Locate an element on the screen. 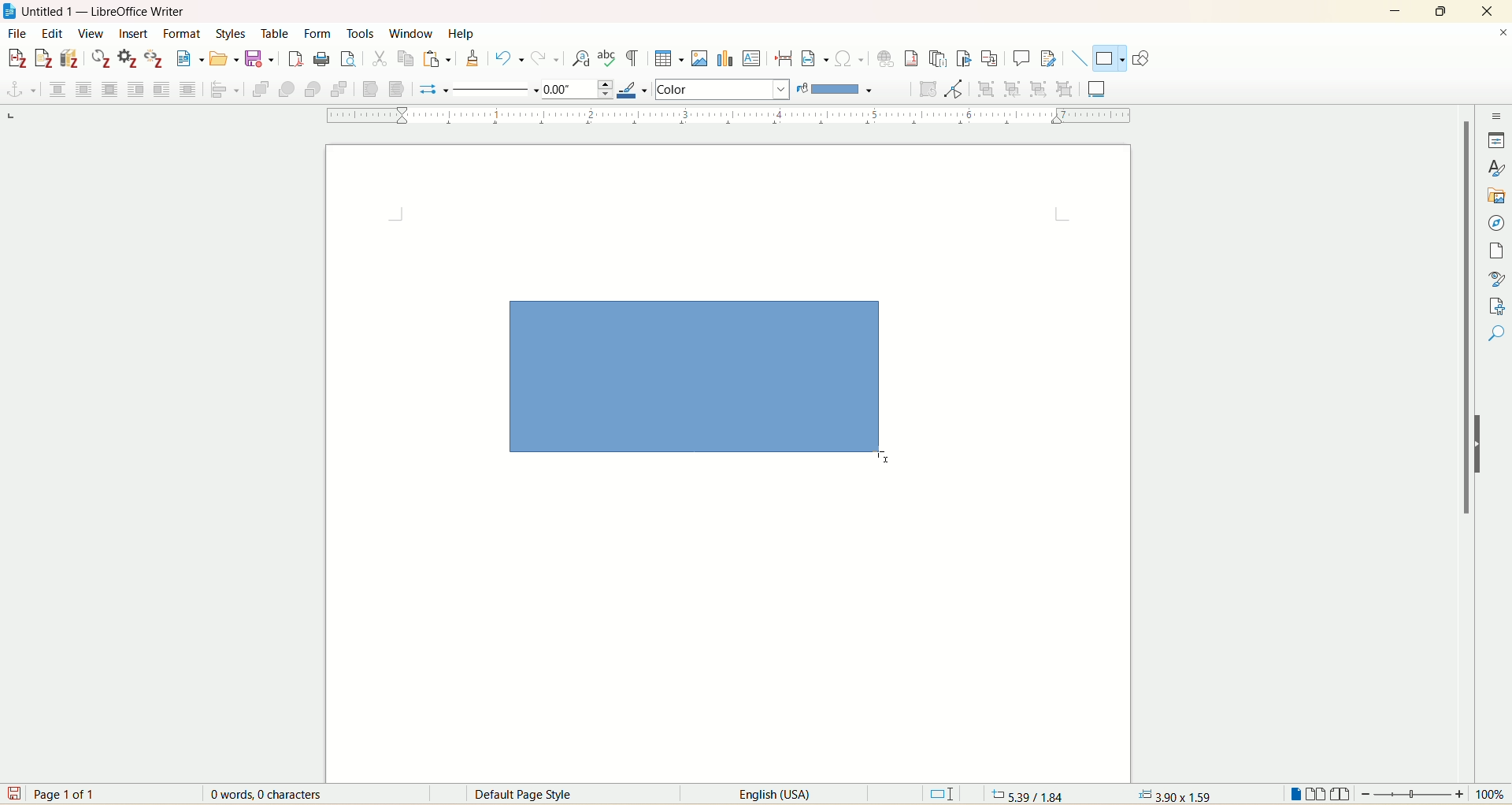 The width and height of the screenshot is (1512, 805). before is located at coordinates (136, 87).